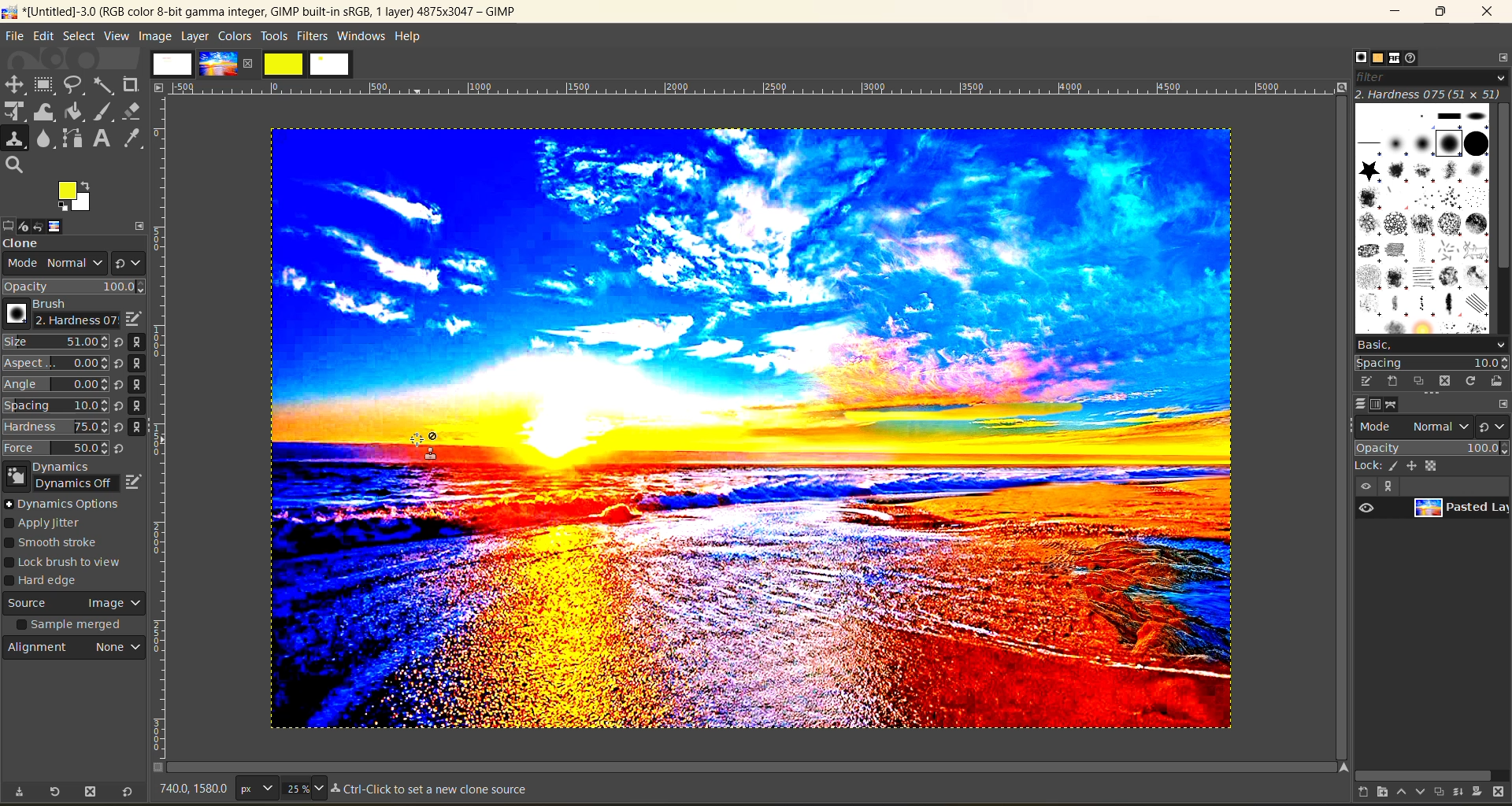  I want to click on mode, so click(1415, 425).